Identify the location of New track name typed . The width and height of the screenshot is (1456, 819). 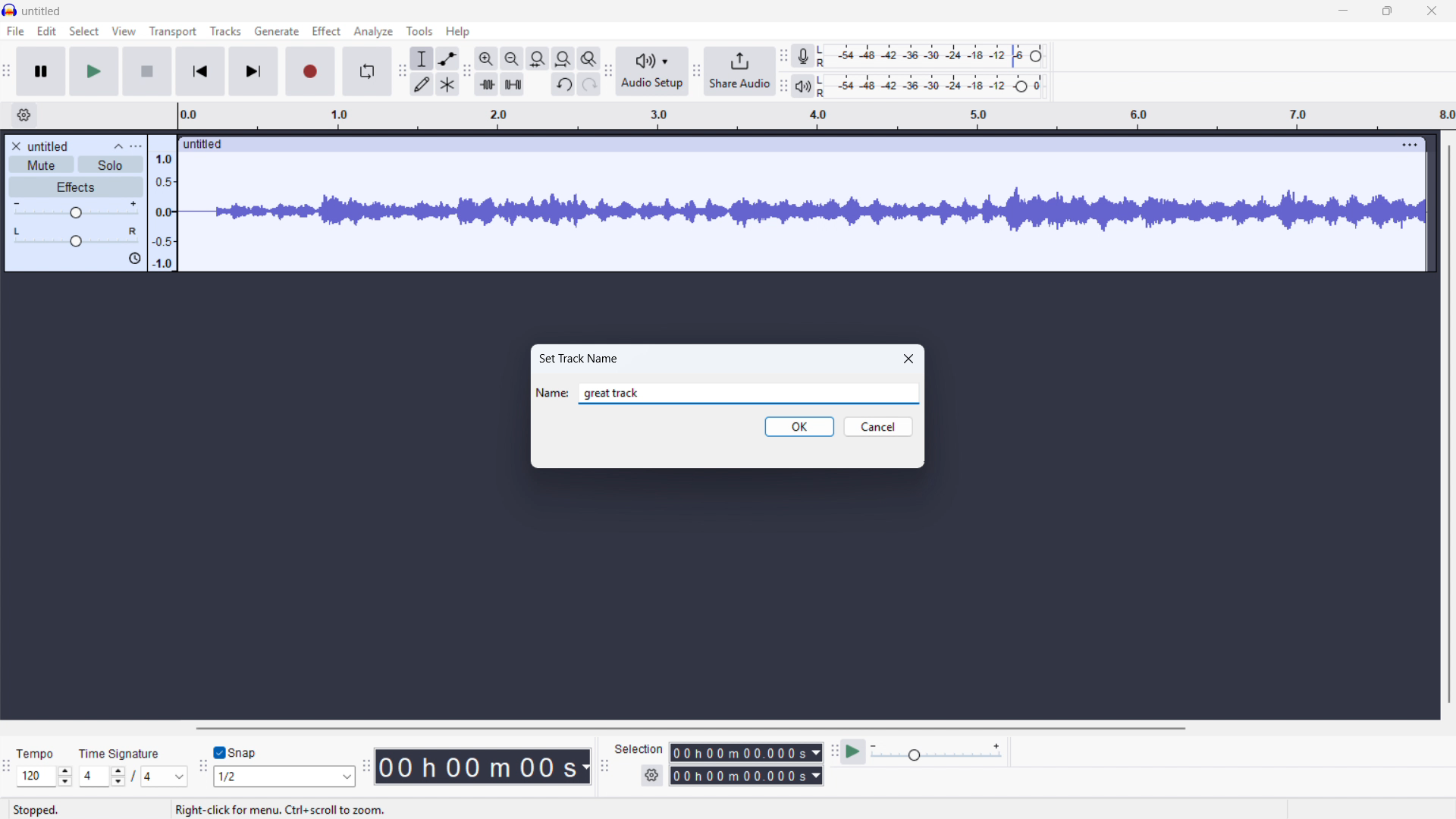
(618, 394).